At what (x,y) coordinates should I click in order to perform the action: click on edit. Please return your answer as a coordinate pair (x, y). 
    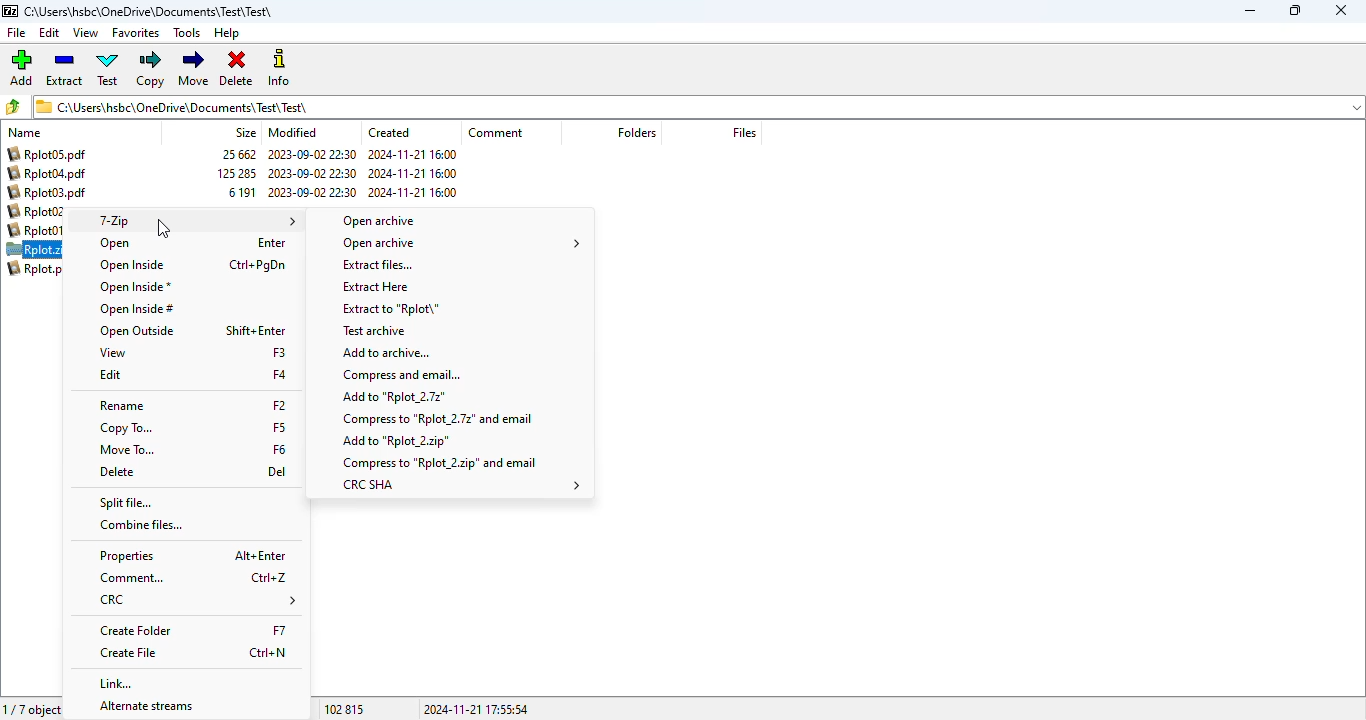
    Looking at the image, I should click on (110, 375).